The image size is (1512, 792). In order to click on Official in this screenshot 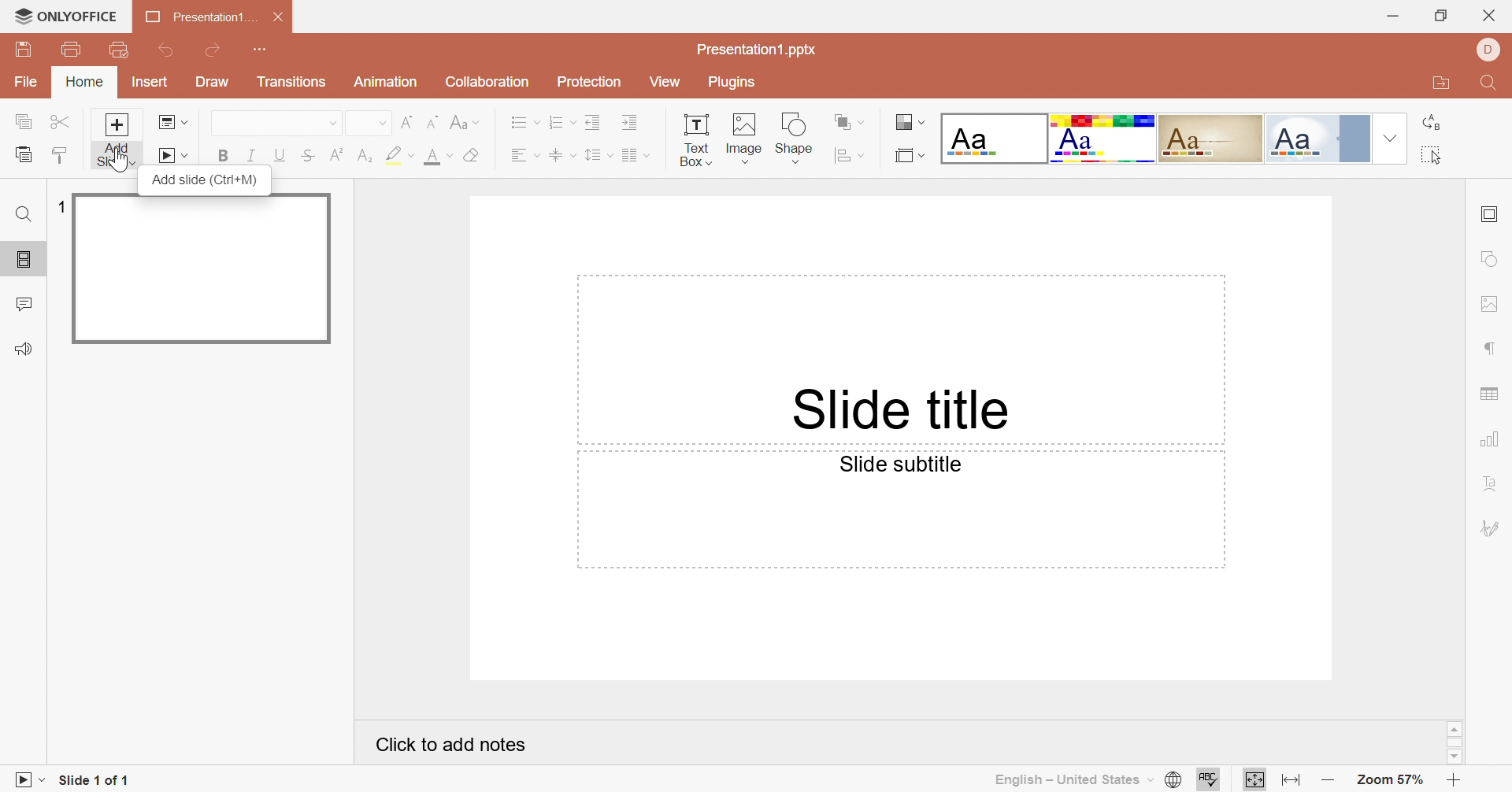, I will do `click(1303, 139)`.